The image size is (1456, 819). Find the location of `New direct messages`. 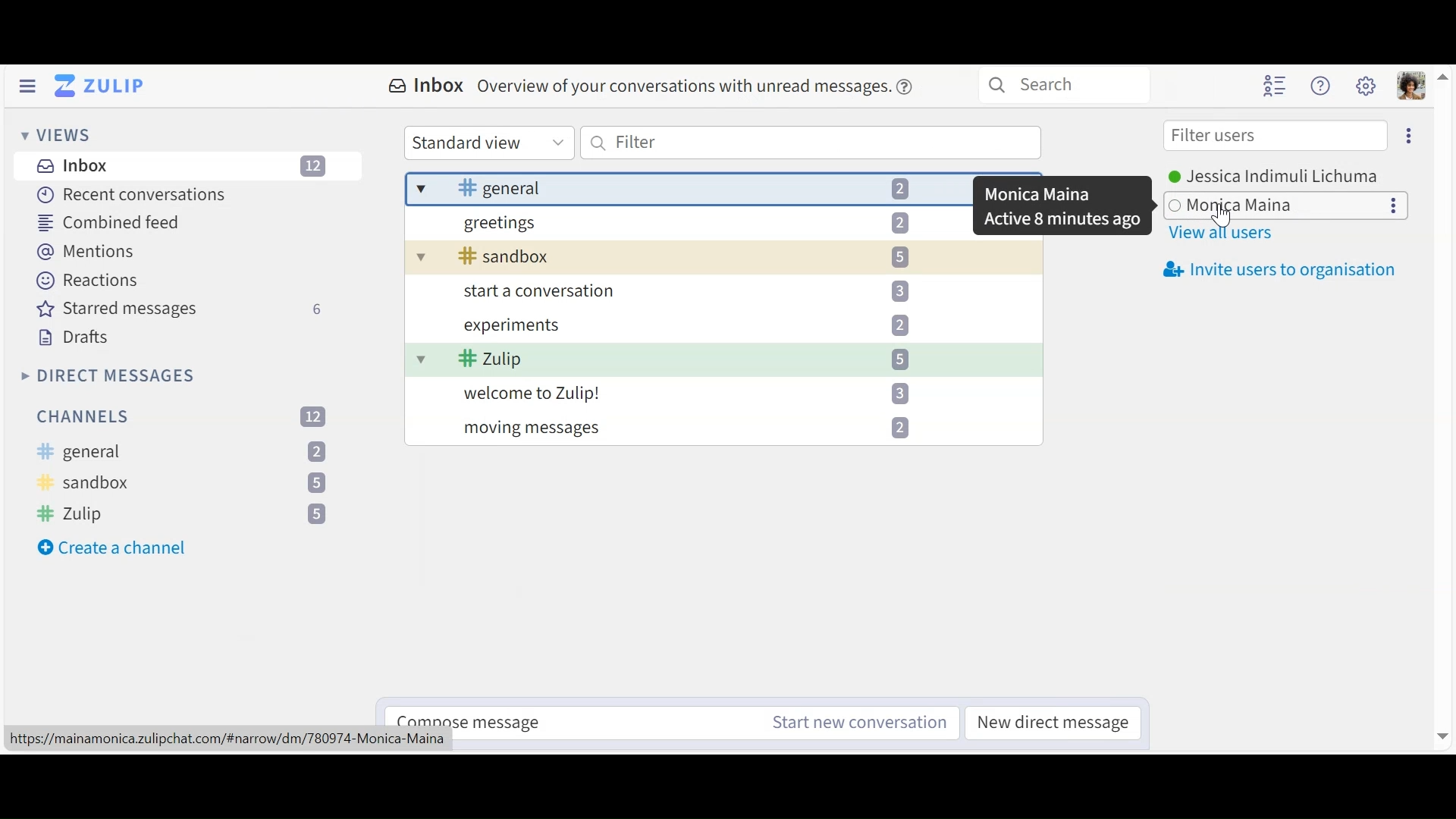

New direct messages is located at coordinates (1053, 723).